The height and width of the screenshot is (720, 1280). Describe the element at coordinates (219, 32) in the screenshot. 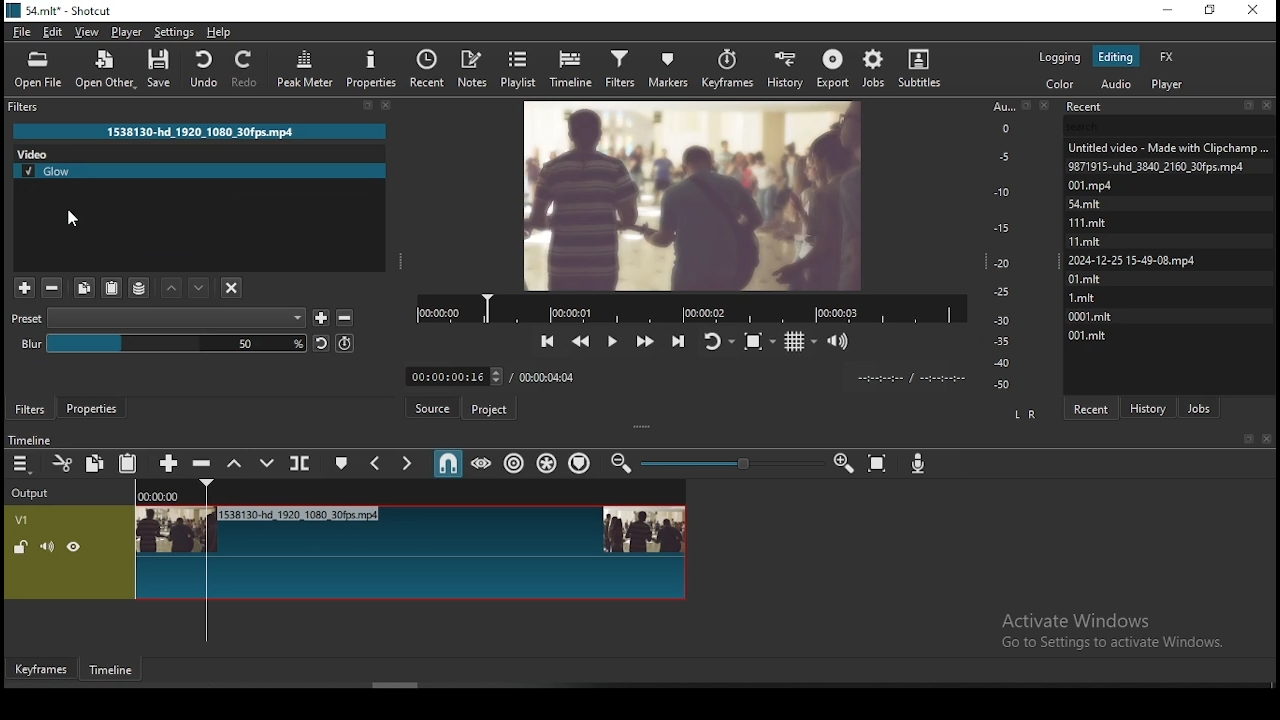

I see `help` at that location.